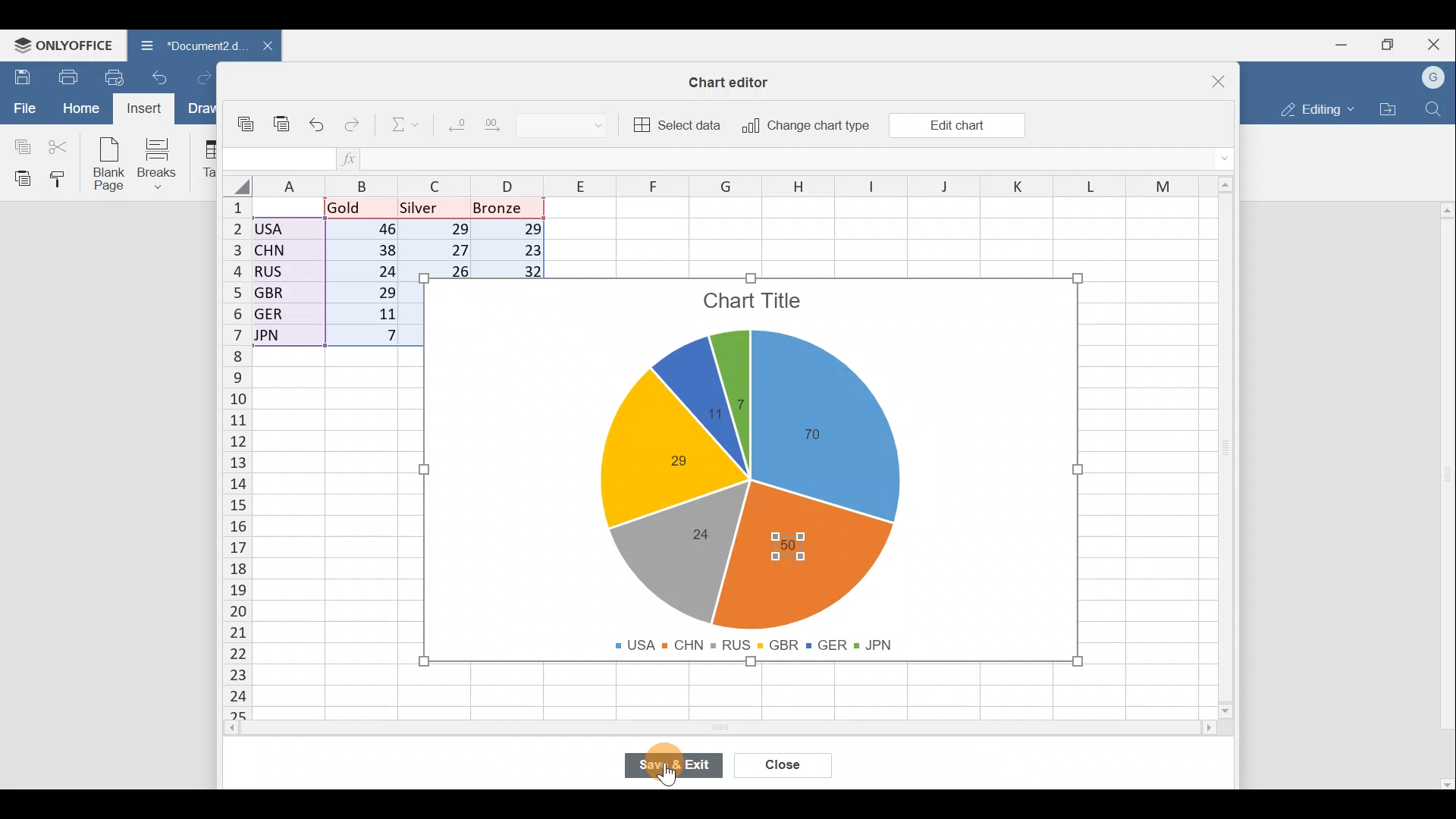 The image size is (1456, 819). What do you see at coordinates (206, 110) in the screenshot?
I see `Draw` at bounding box center [206, 110].